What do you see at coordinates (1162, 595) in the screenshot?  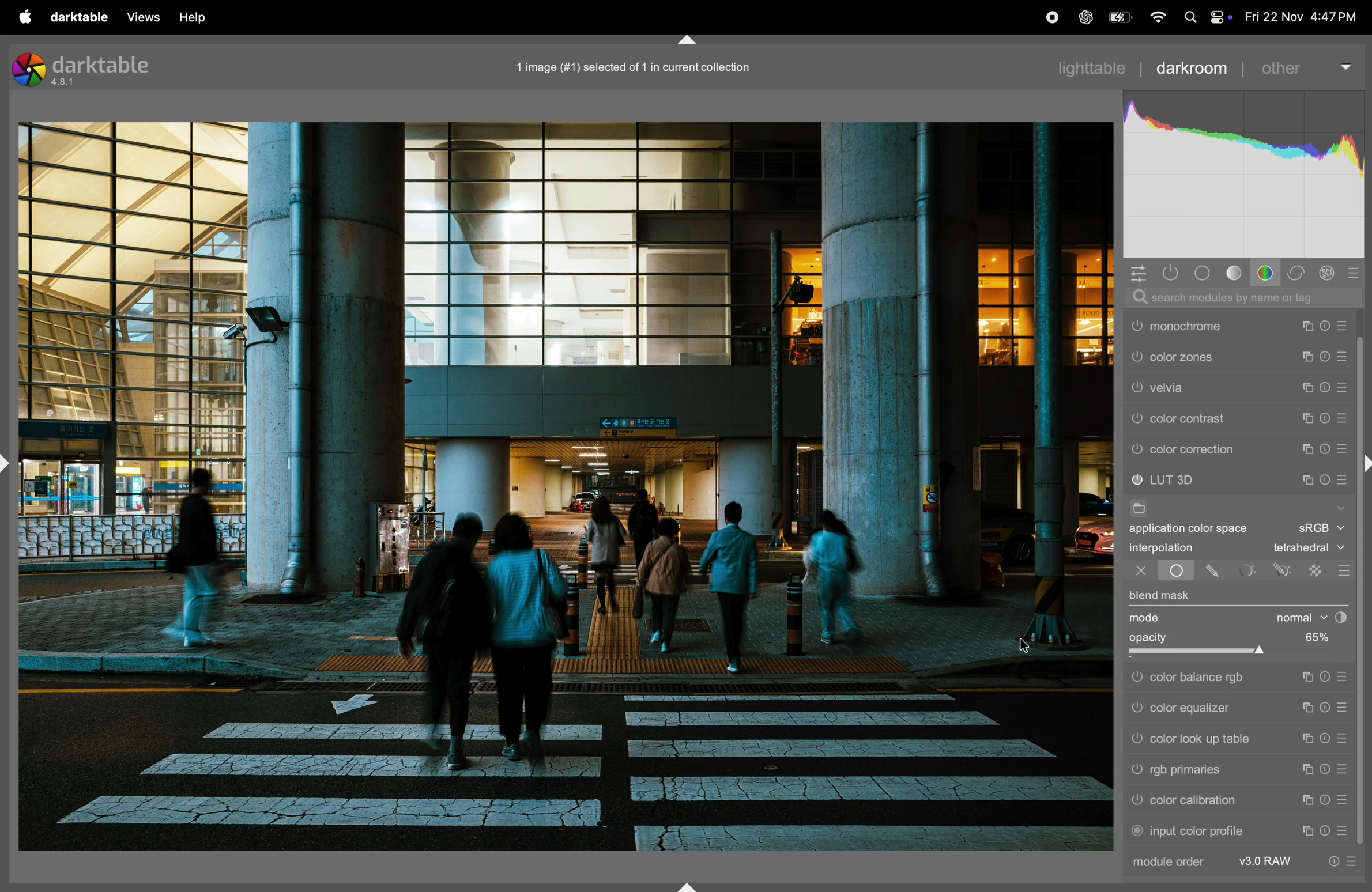 I see `blend mask` at bounding box center [1162, 595].